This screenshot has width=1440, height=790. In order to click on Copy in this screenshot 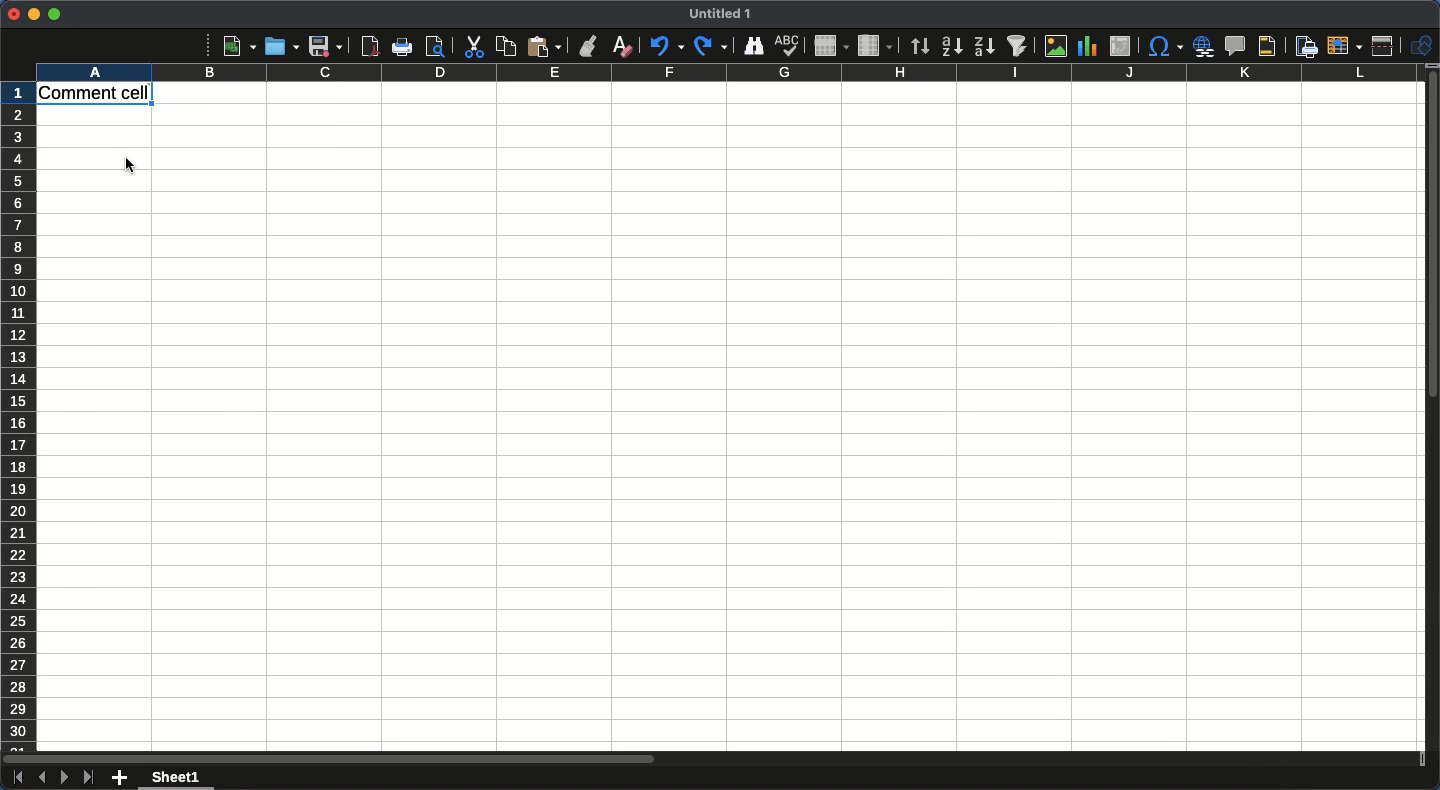, I will do `click(507, 45)`.